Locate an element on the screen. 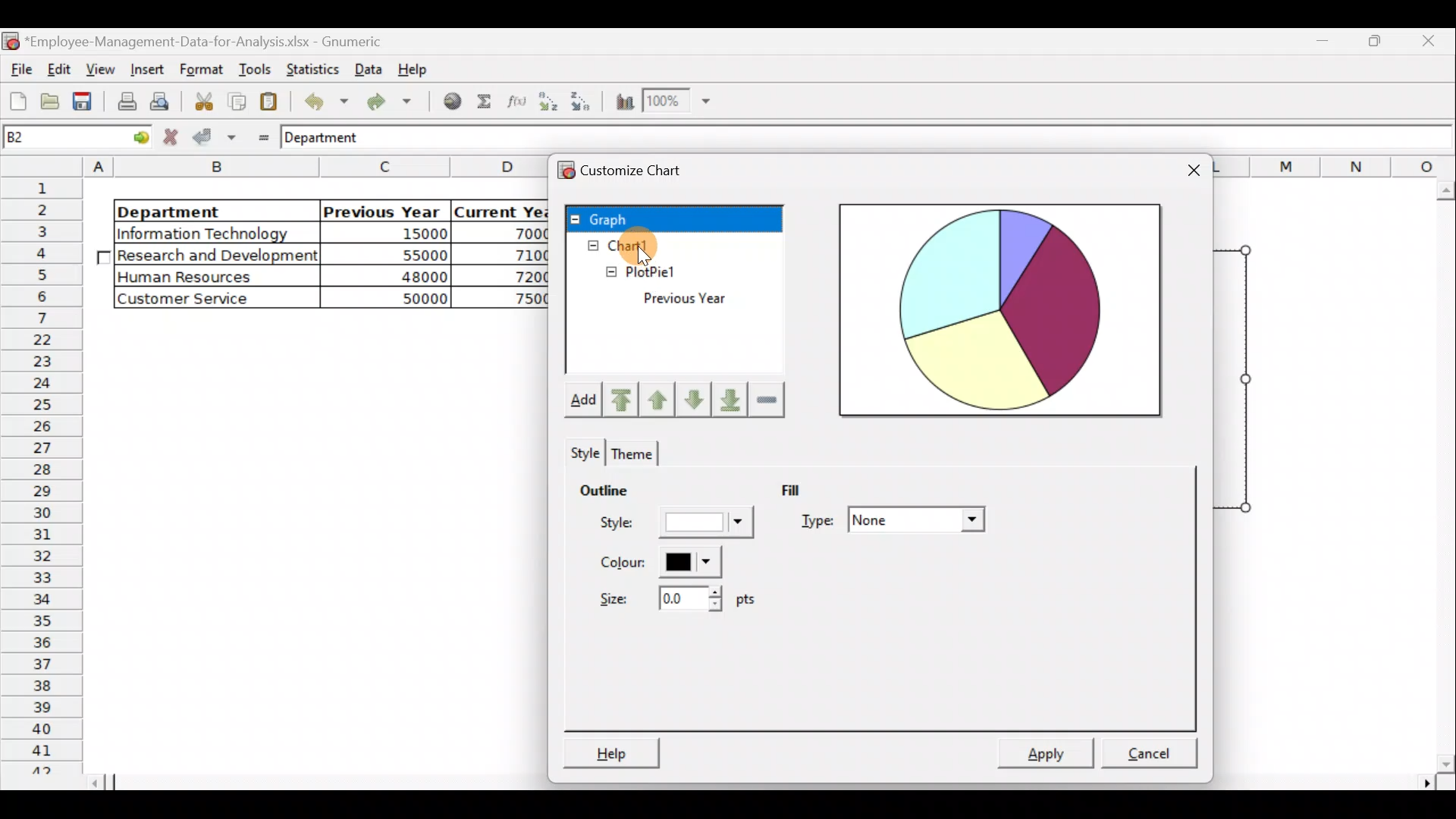  72000 is located at coordinates (518, 276).